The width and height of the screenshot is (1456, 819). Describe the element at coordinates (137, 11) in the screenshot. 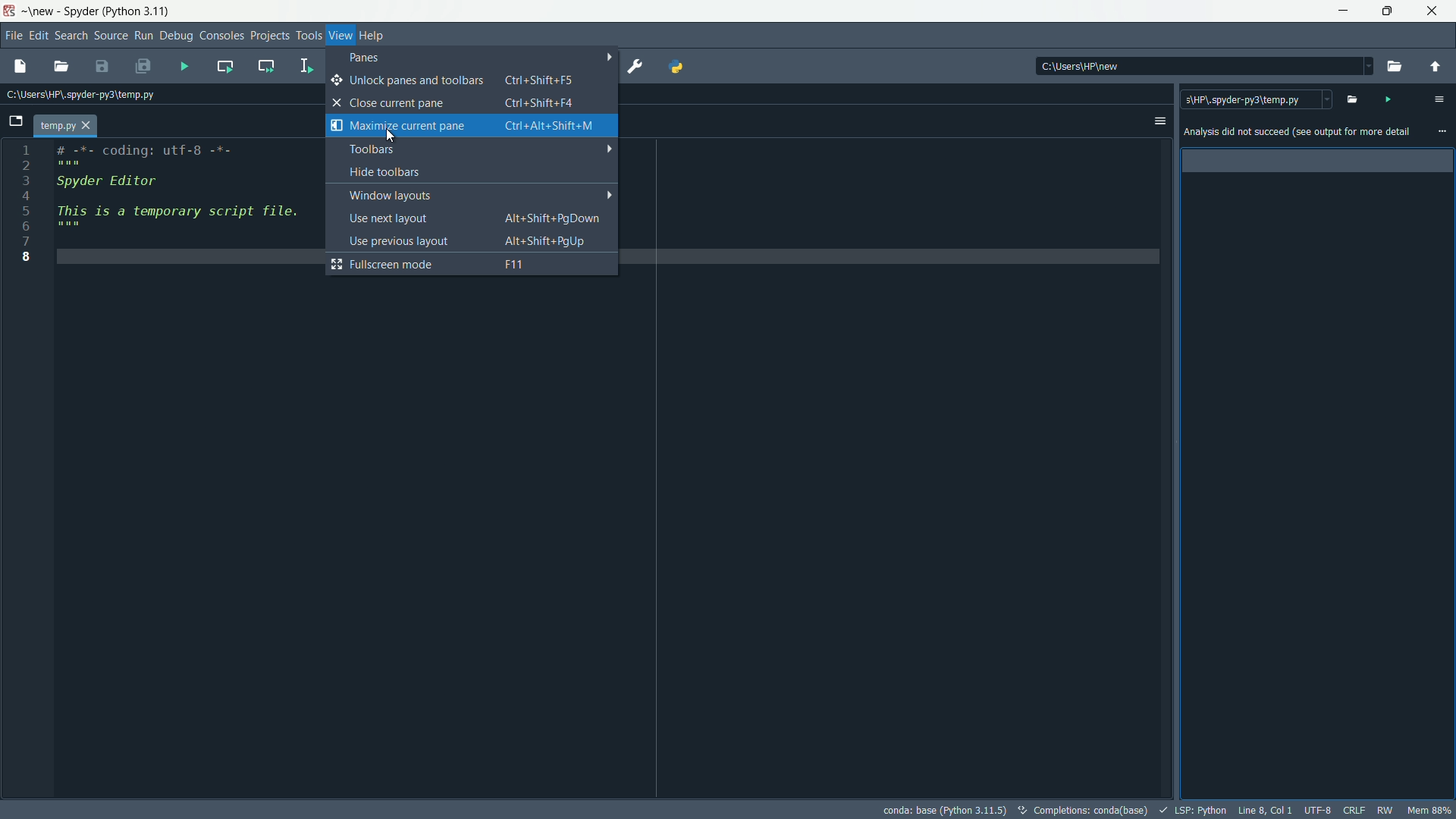

I see `python 3.11` at that location.